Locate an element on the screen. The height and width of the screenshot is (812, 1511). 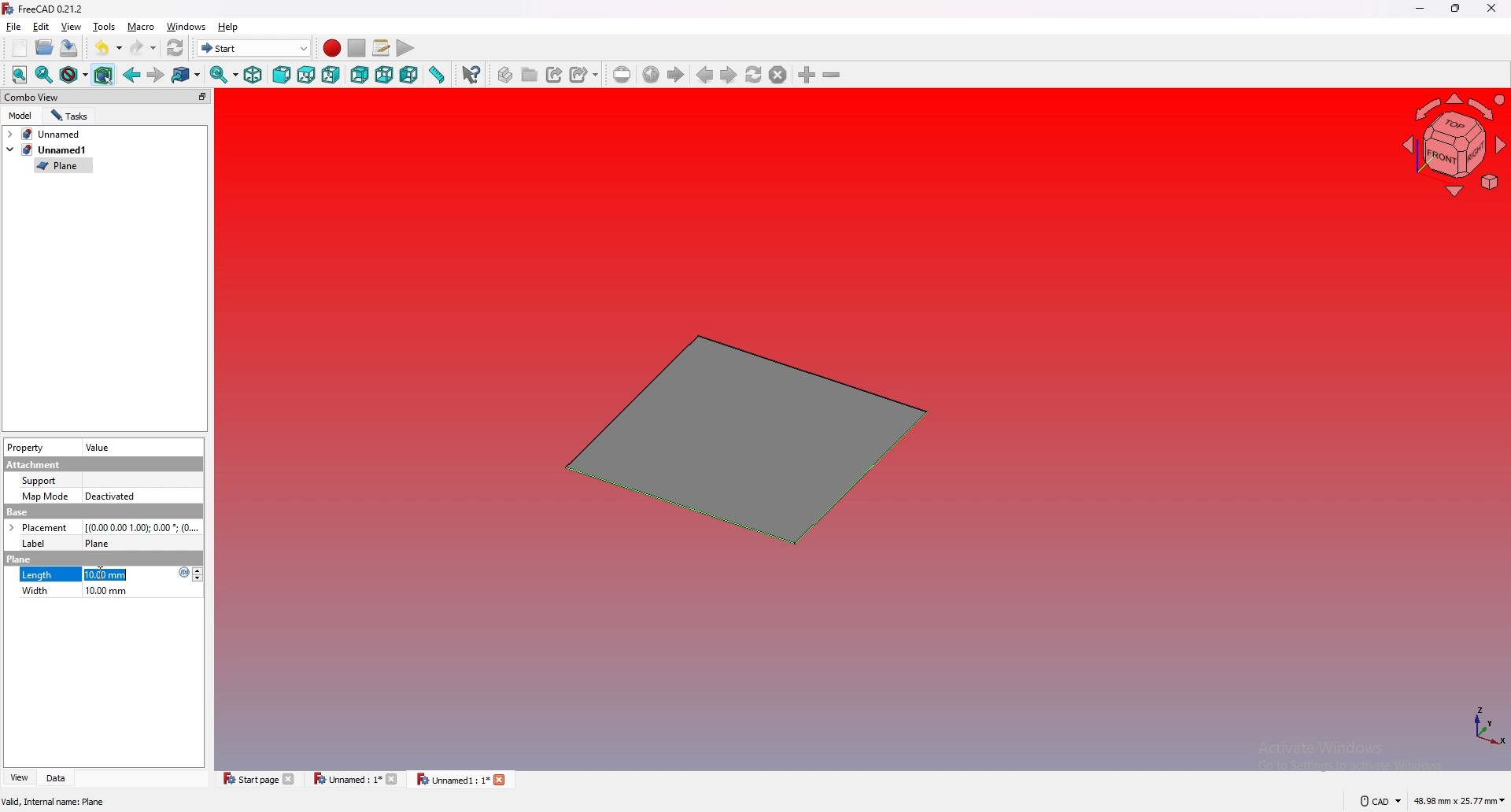
edit is located at coordinates (41, 26).